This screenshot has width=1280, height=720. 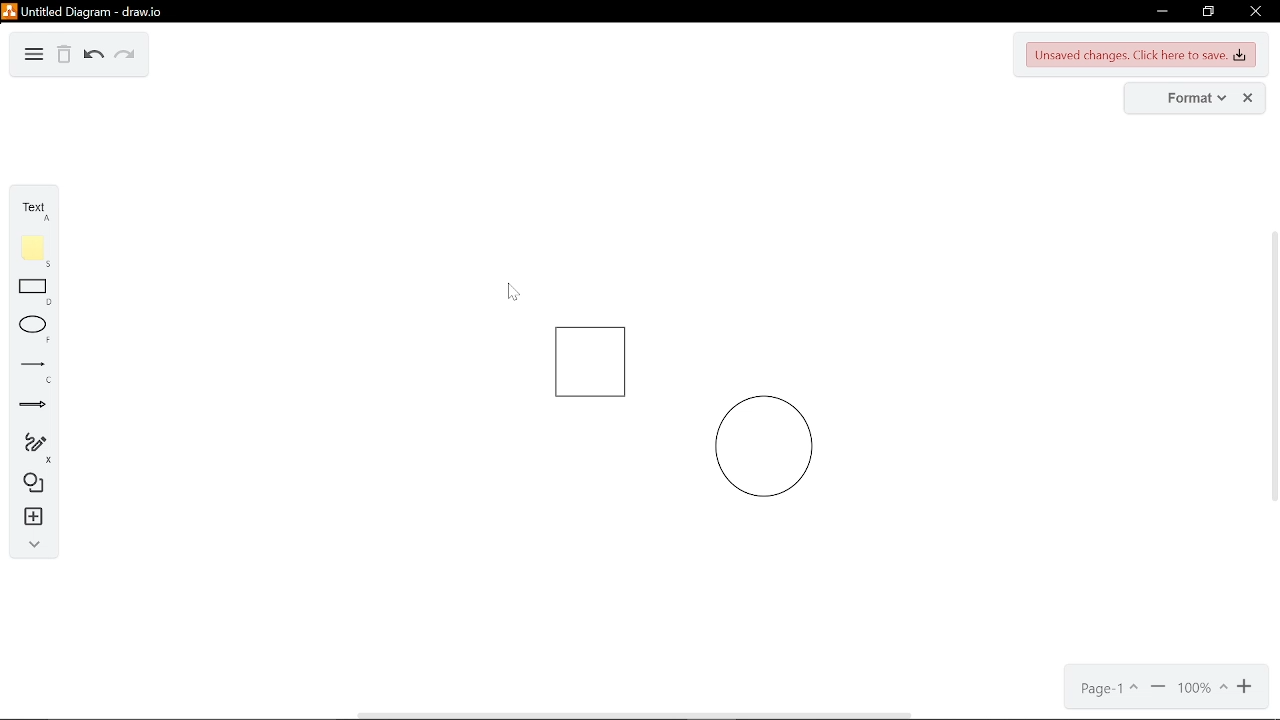 What do you see at coordinates (690, 423) in the screenshot?
I see `grouped square and circle` at bounding box center [690, 423].